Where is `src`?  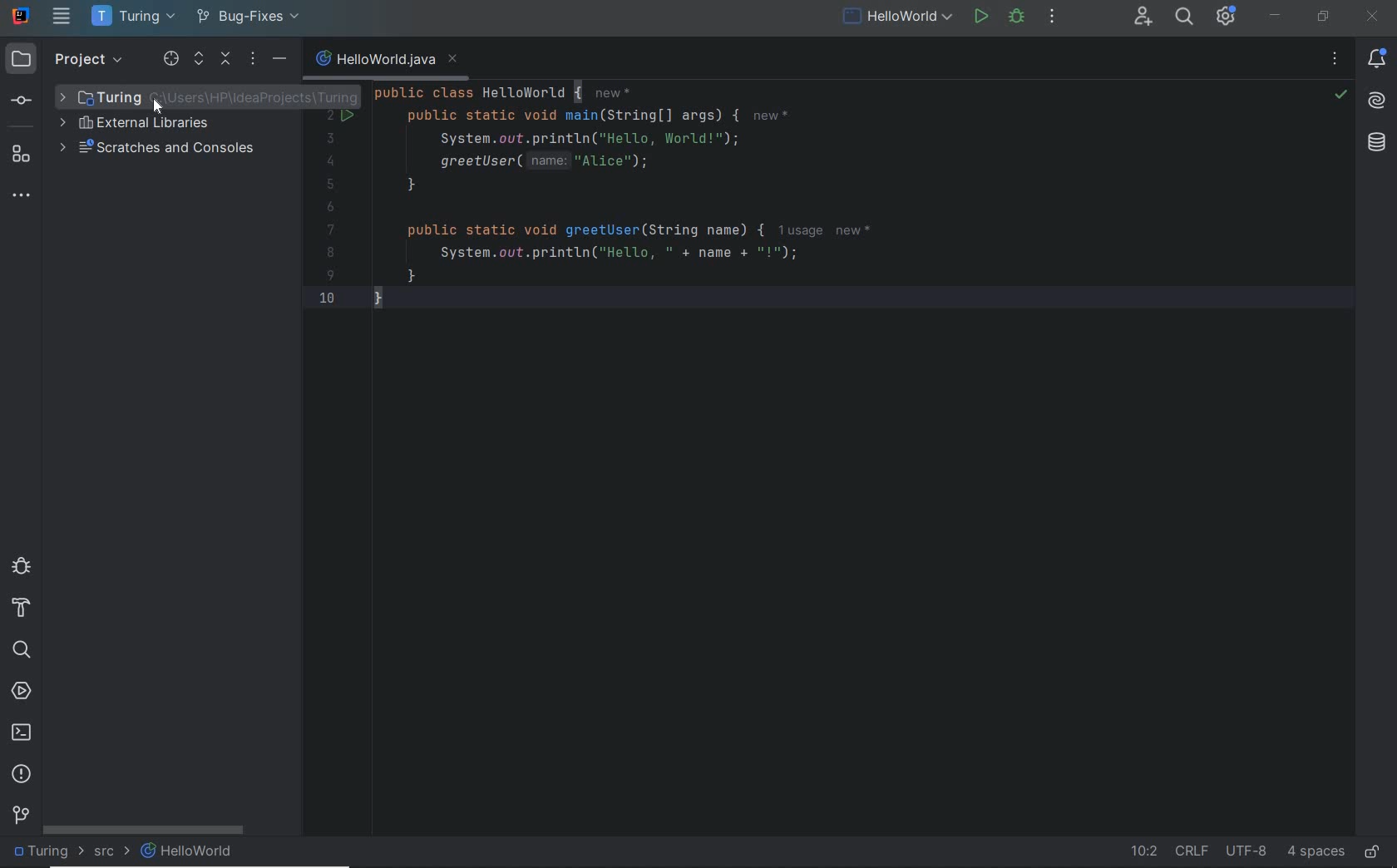
src is located at coordinates (112, 851).